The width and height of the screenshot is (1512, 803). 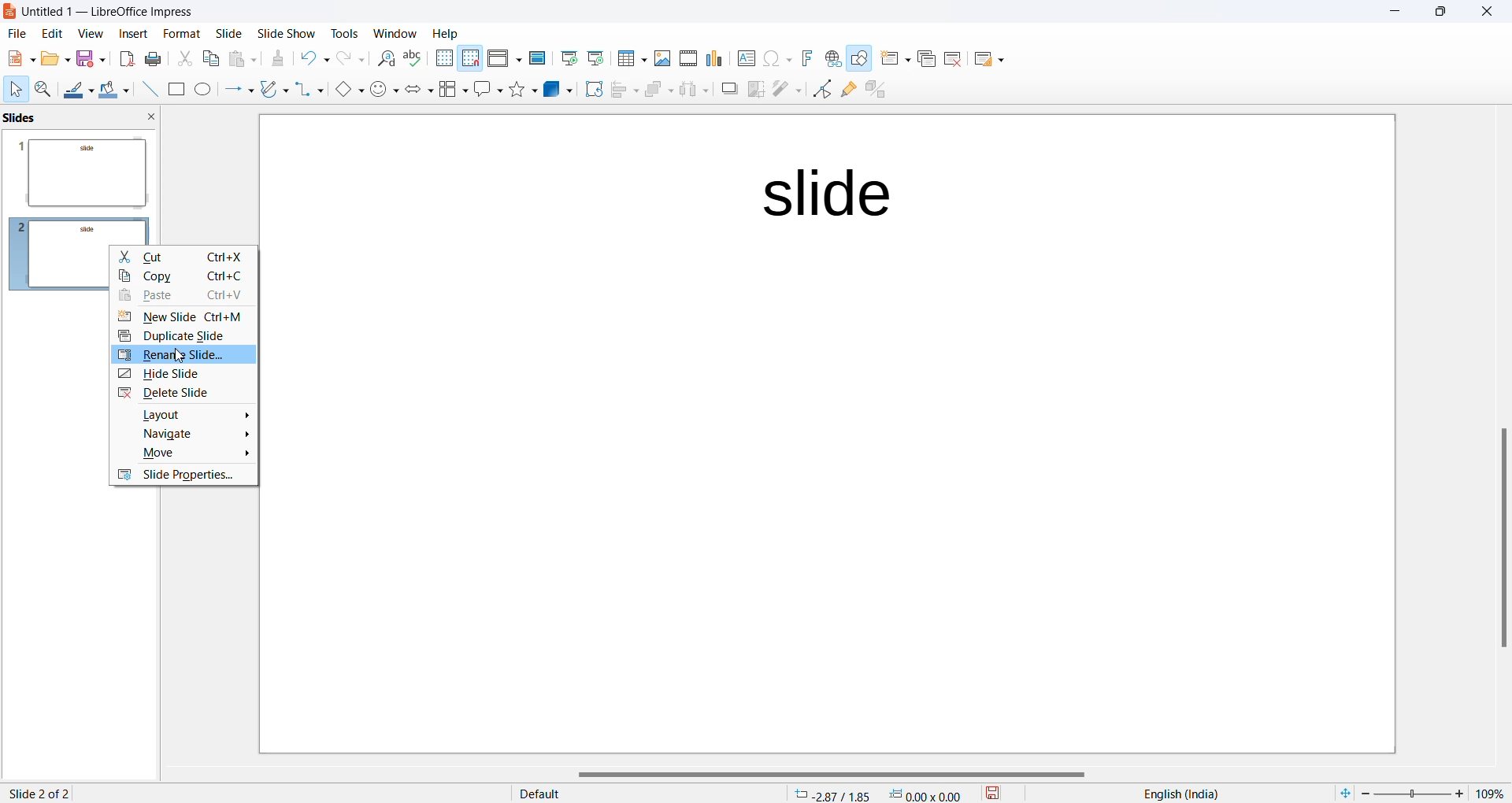 I want to click on Format, so click(x=177, y=31).